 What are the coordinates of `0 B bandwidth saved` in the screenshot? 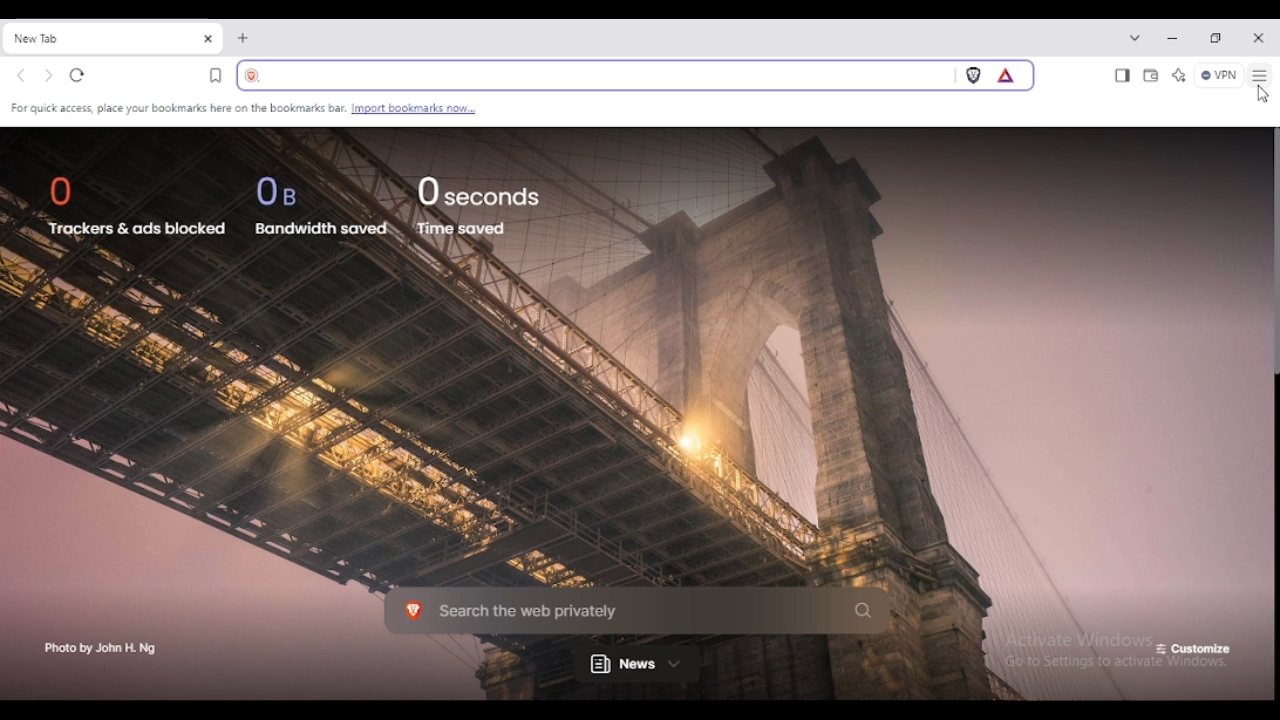 It's located at (322, 205).